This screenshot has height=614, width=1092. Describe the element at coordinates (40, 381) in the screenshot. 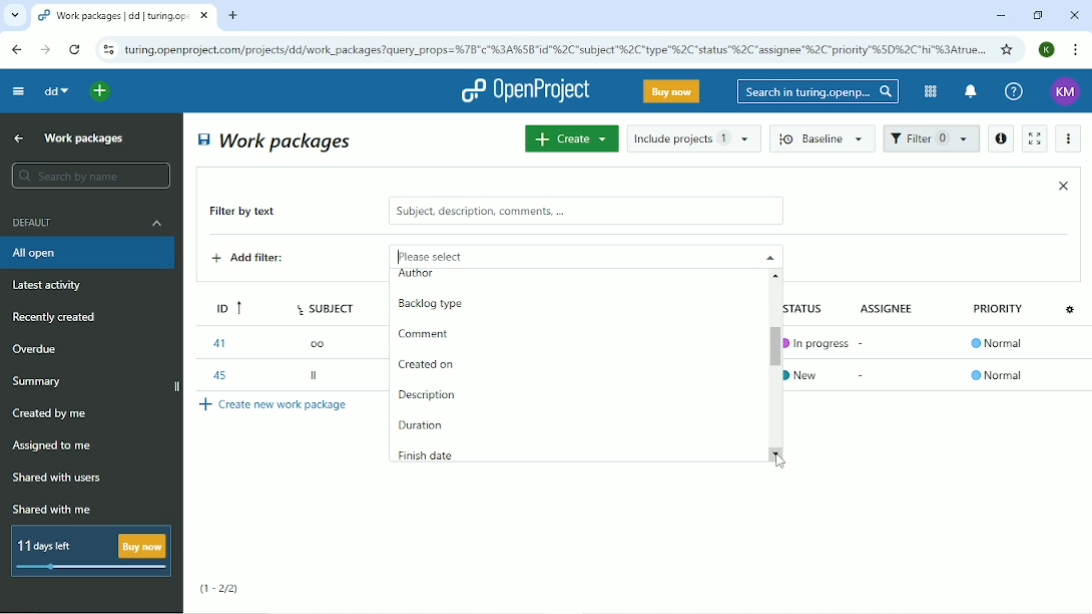

I see `Summary` at that location.